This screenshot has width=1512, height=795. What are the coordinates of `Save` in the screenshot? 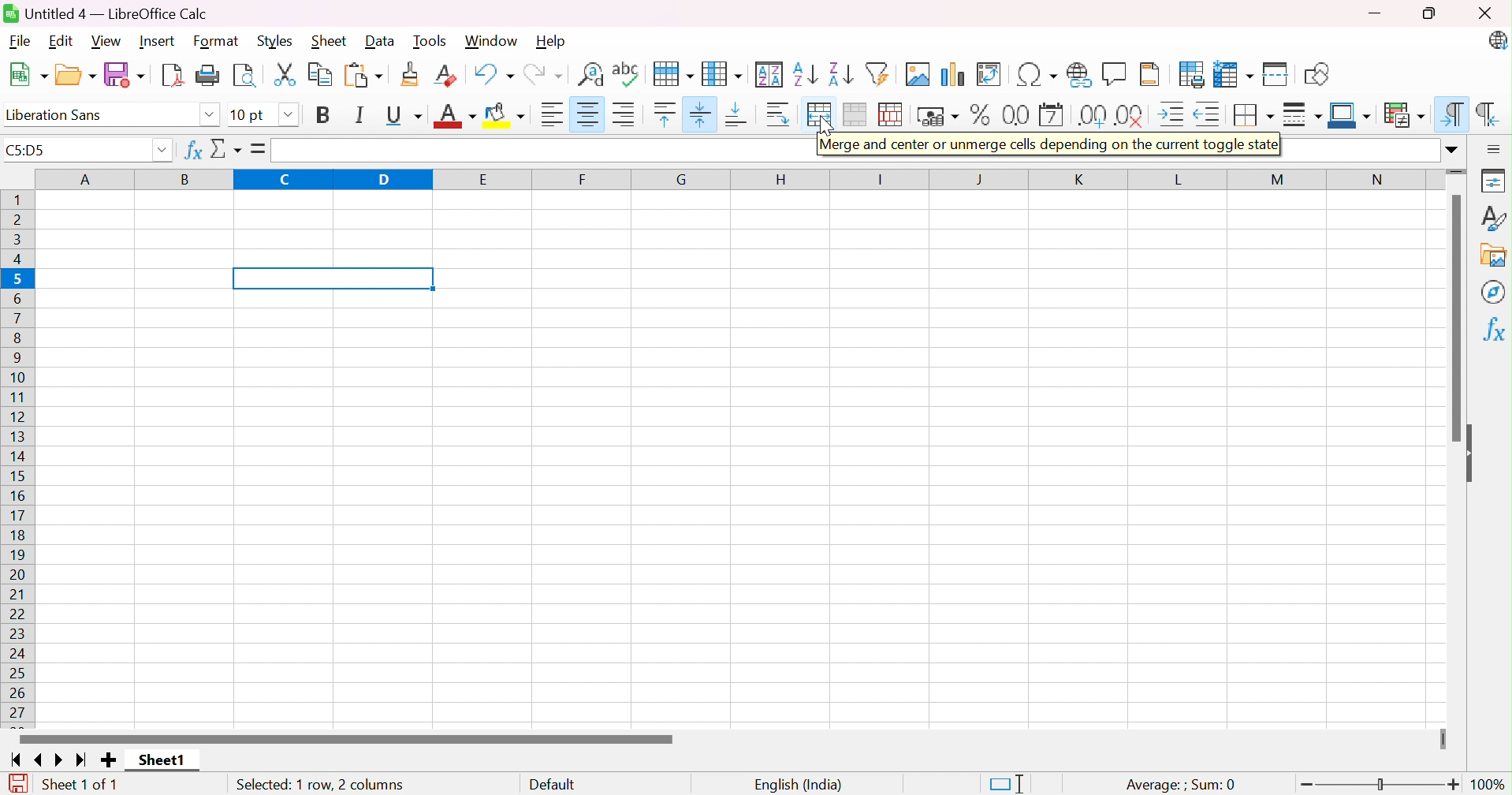 It's located at (125, 74).